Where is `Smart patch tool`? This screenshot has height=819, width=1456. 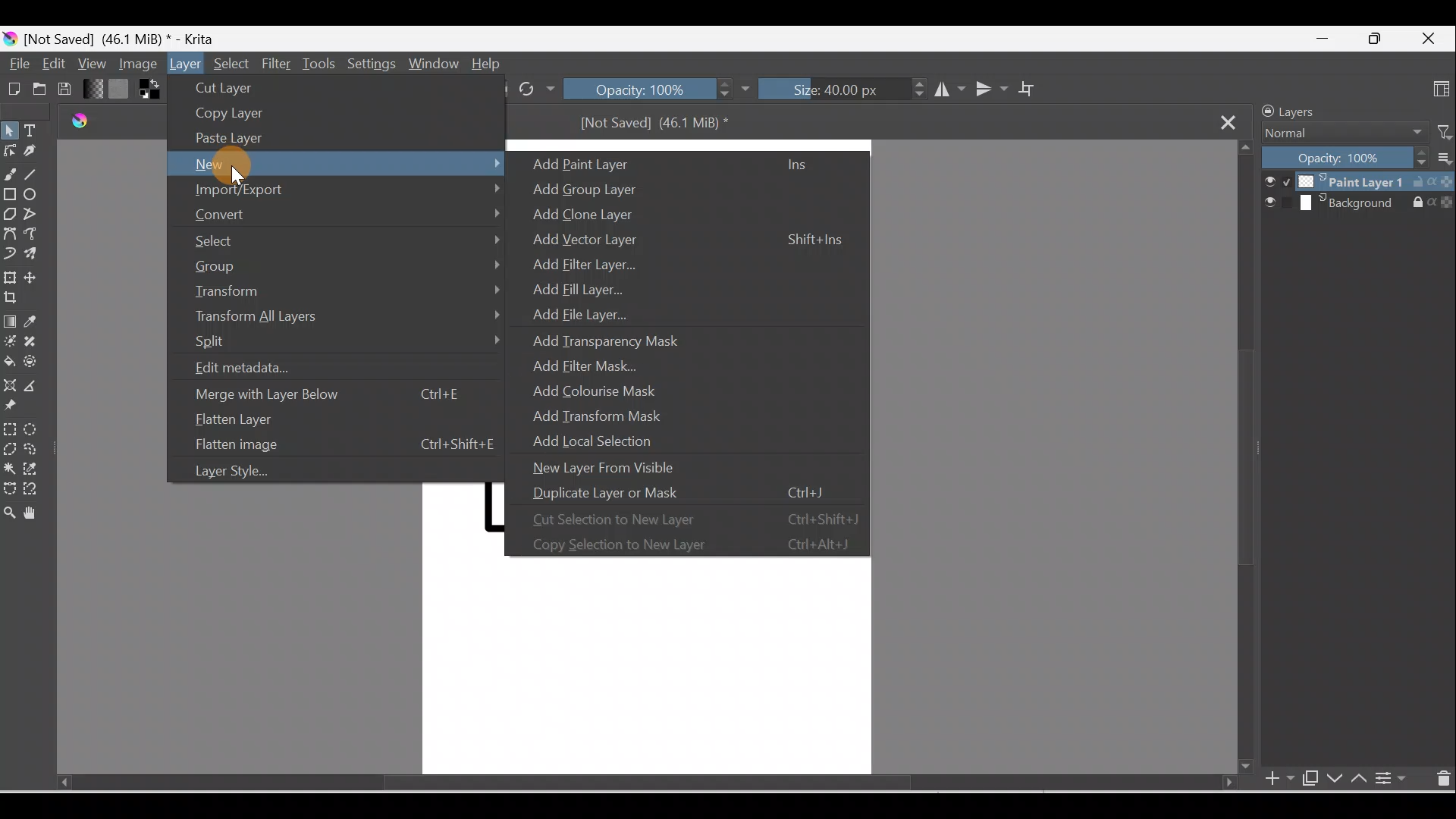 Smart patch tool is located at coordinates (39, 341).